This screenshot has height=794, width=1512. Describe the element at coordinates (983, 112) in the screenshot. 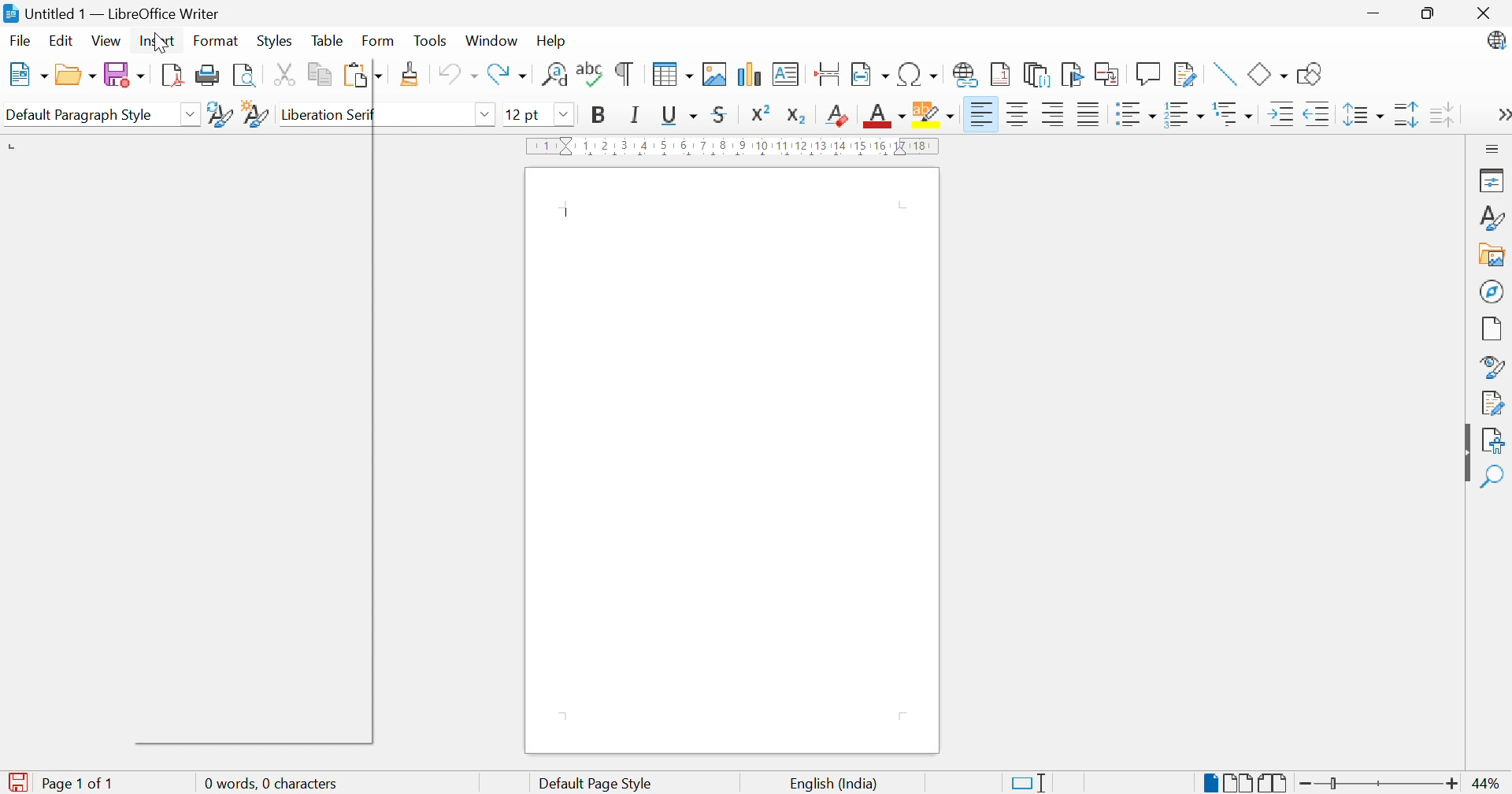

I see `Align left` at that location.